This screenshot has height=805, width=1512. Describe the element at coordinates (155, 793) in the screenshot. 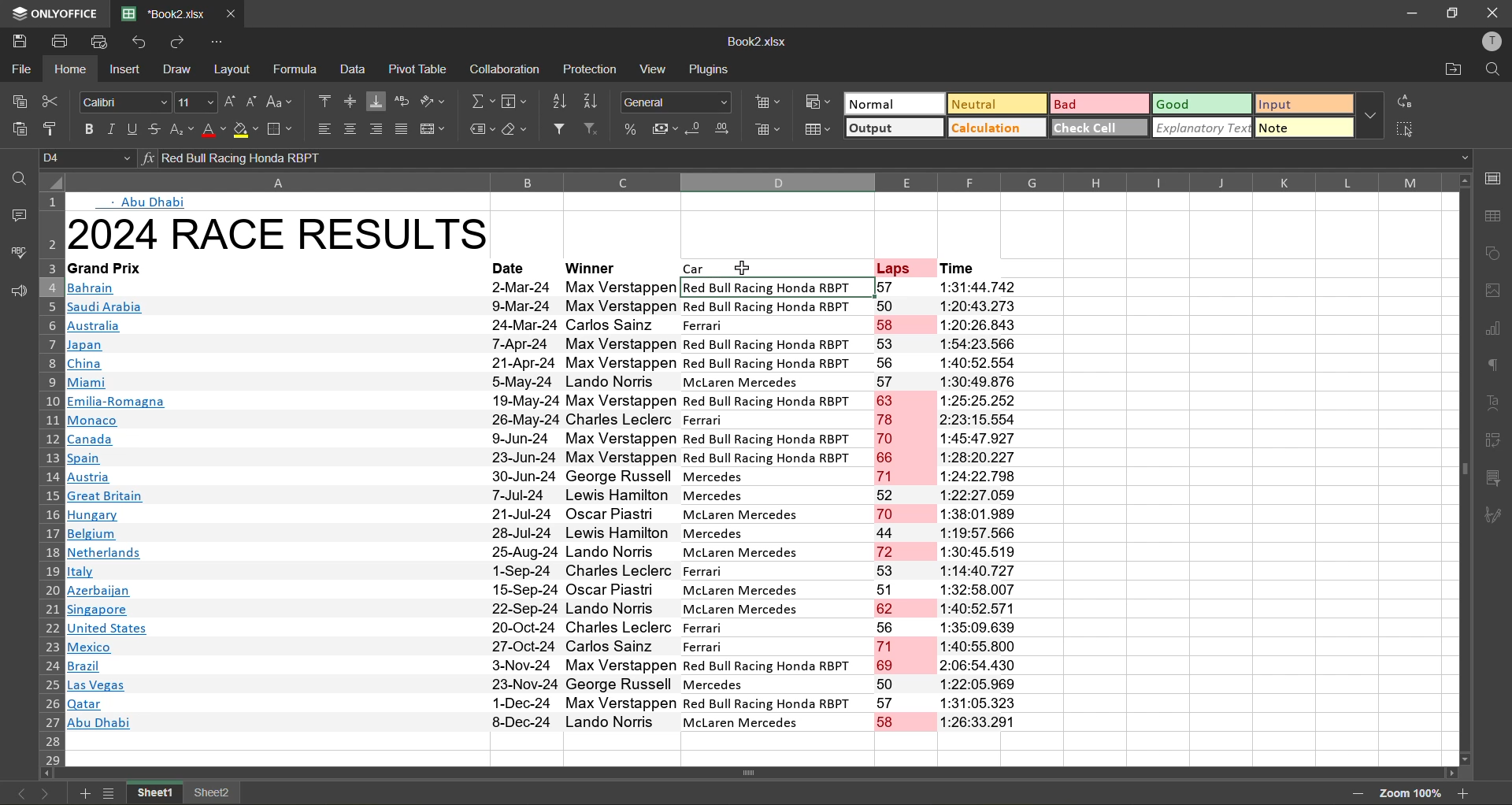

I see `sheet 1` at that location.